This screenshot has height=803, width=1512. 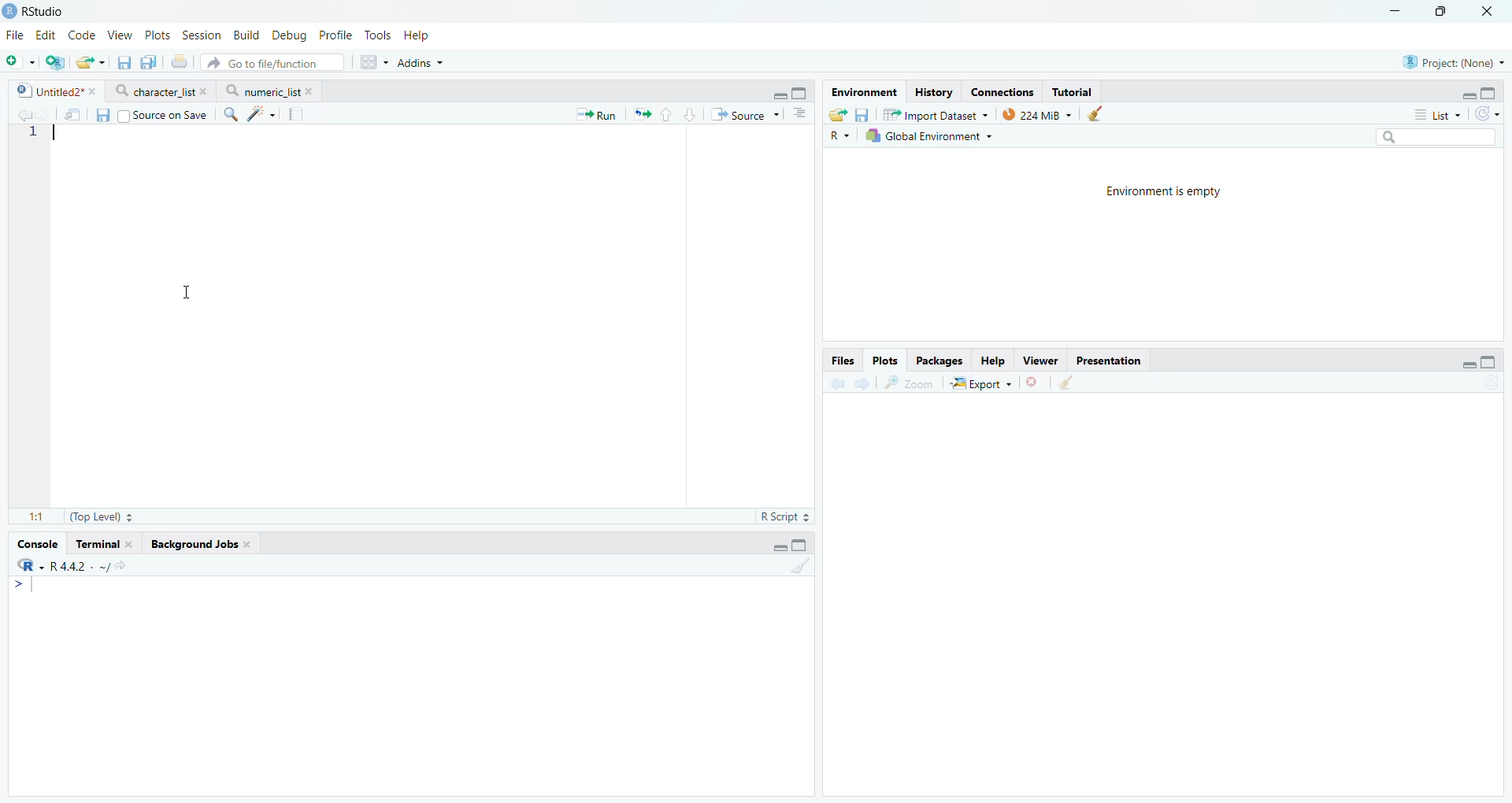 I want to click on Go to previous source location, so click(x=22, y=114).